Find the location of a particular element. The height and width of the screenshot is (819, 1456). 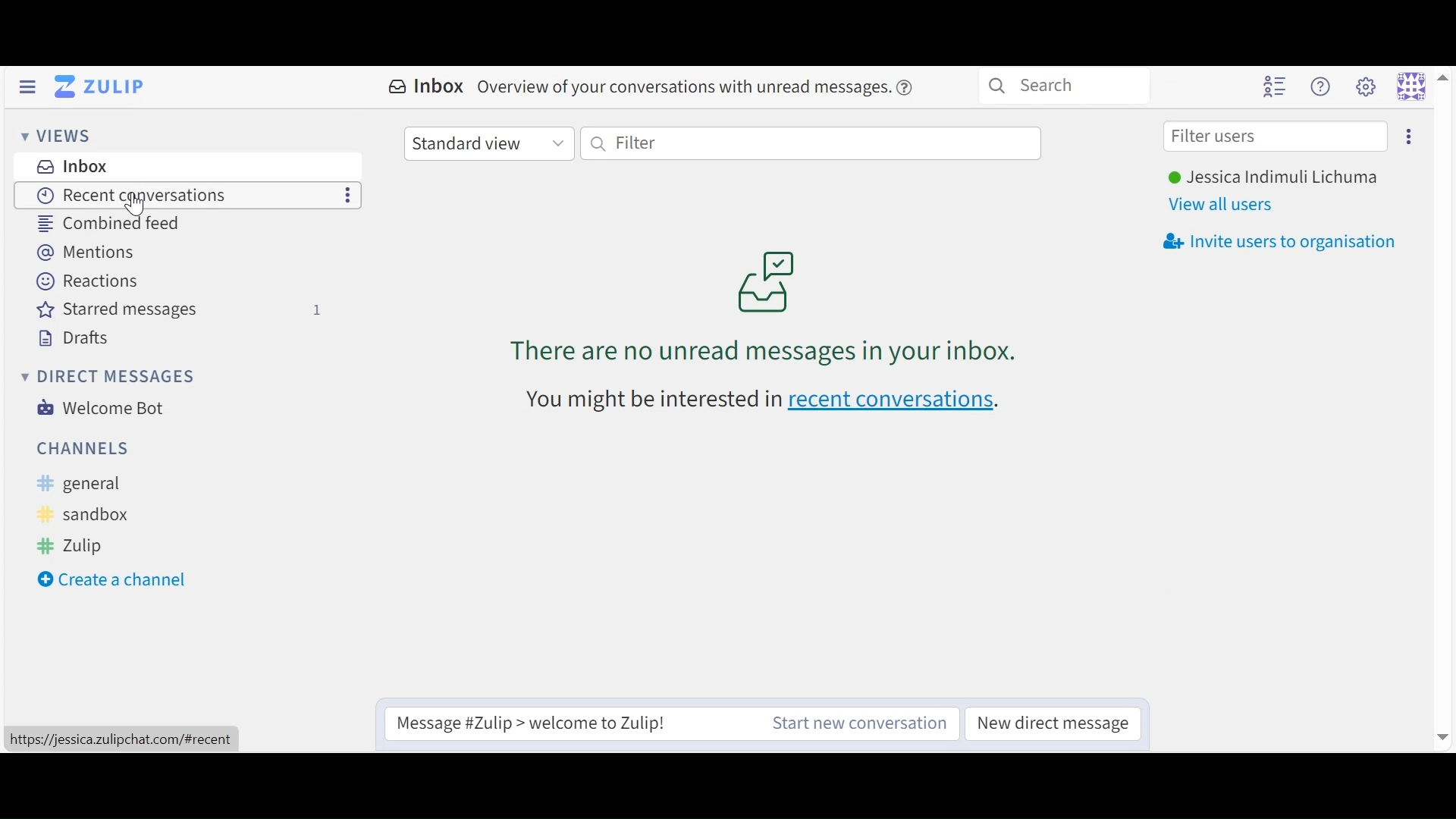

Personal menu is located at coordinates (1421, 85).